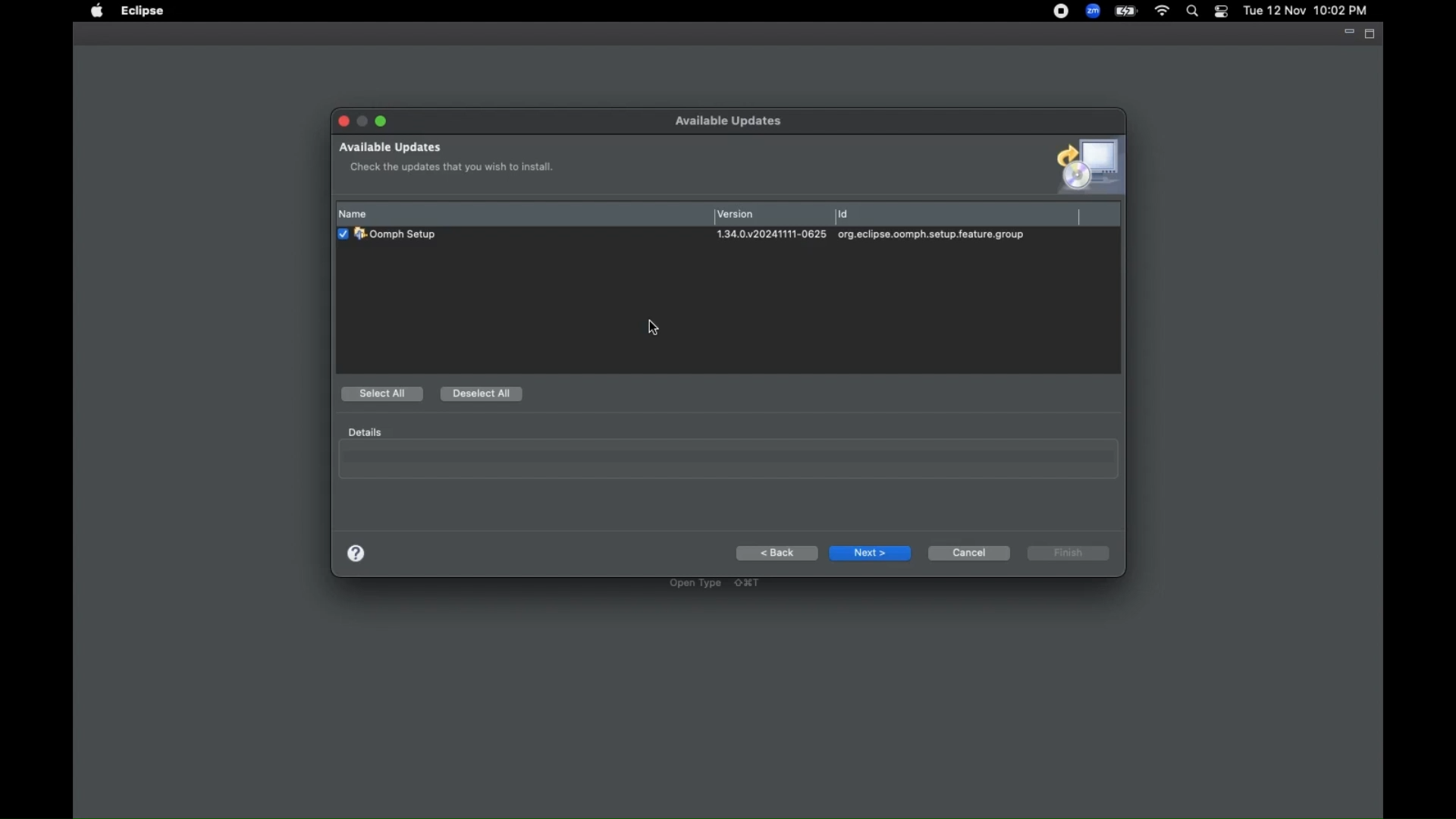 The height and width of the screenshot is (819, 1456). What do you see at coordinates (772, 214) in the screenshot?
I see `Version` at bounding box center [772, 214].